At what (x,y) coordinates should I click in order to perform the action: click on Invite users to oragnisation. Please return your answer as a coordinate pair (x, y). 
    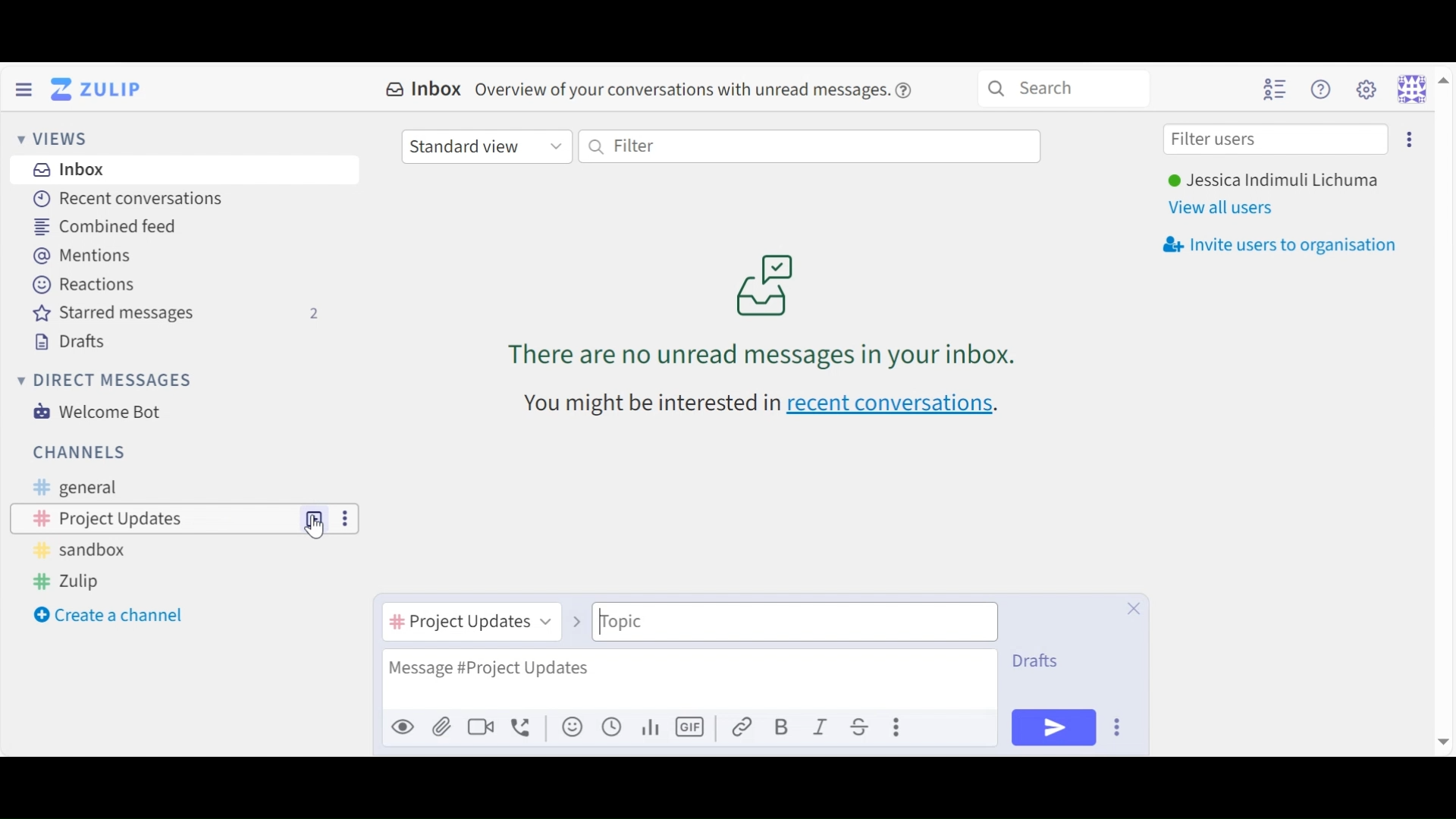
    Looking at the image, I should click on (1287, 245).